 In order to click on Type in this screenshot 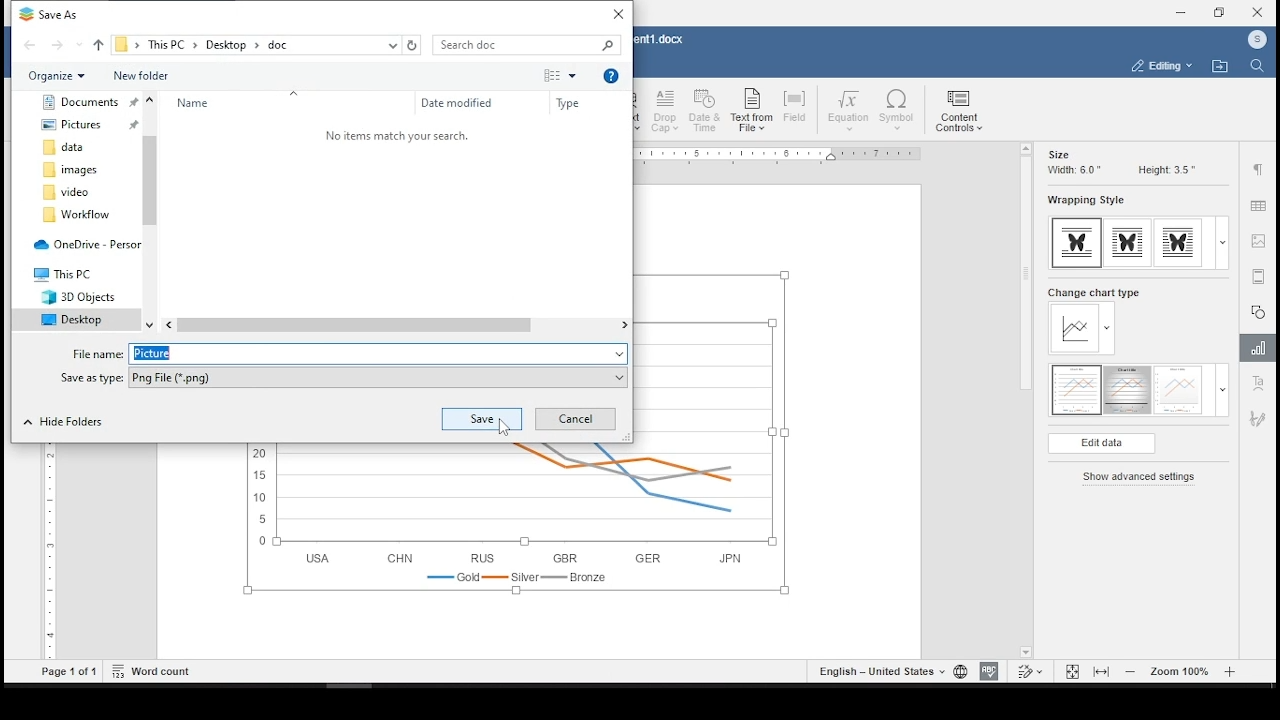, I will do `click(571, 104)`.